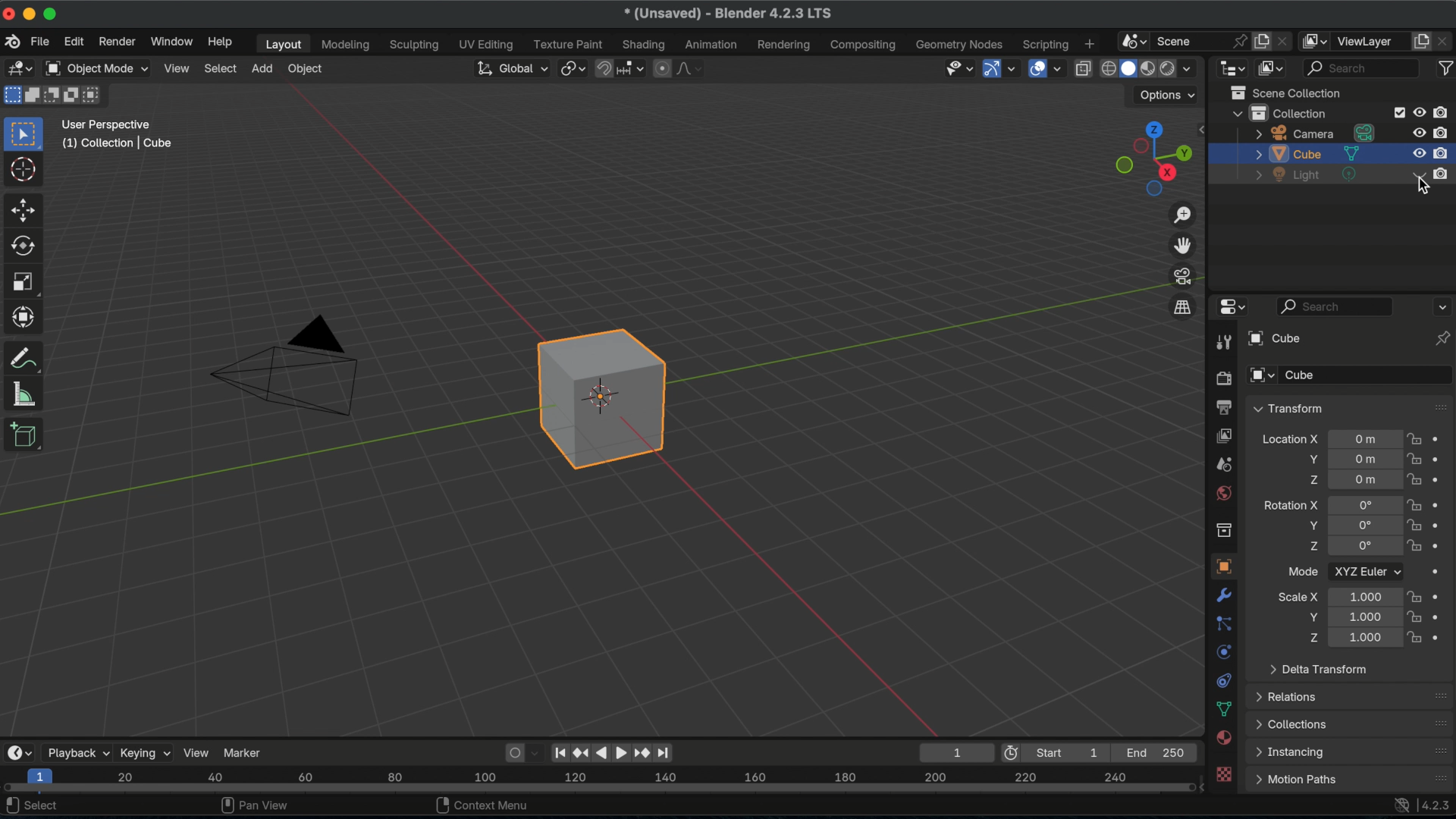 The height and width of the screenshot is (819, 1456). What do you see at coordinates (1225, 435) in the screenshot?
I see `view layer` at bounding box center [1225, 435].